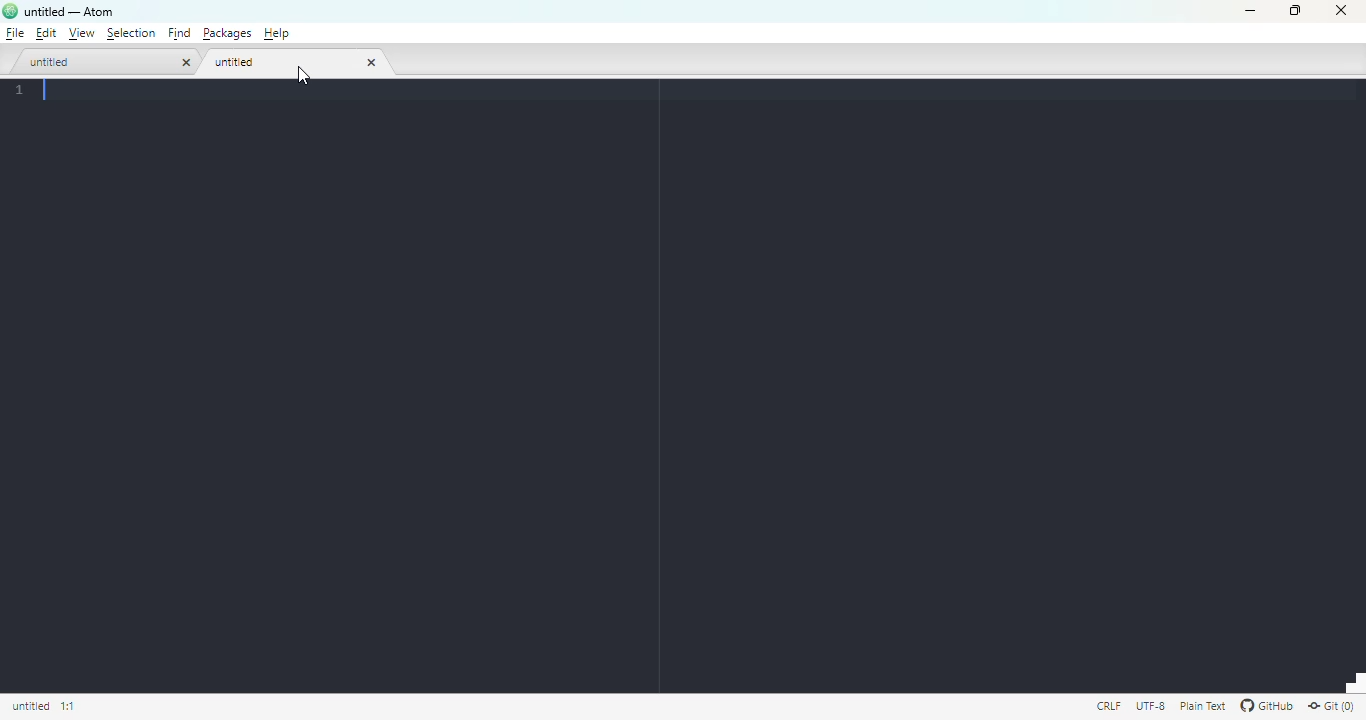  What do you see at coordinates (1340, 10) in the screenshot?
I see `close` at bounding box center [1340, 10].